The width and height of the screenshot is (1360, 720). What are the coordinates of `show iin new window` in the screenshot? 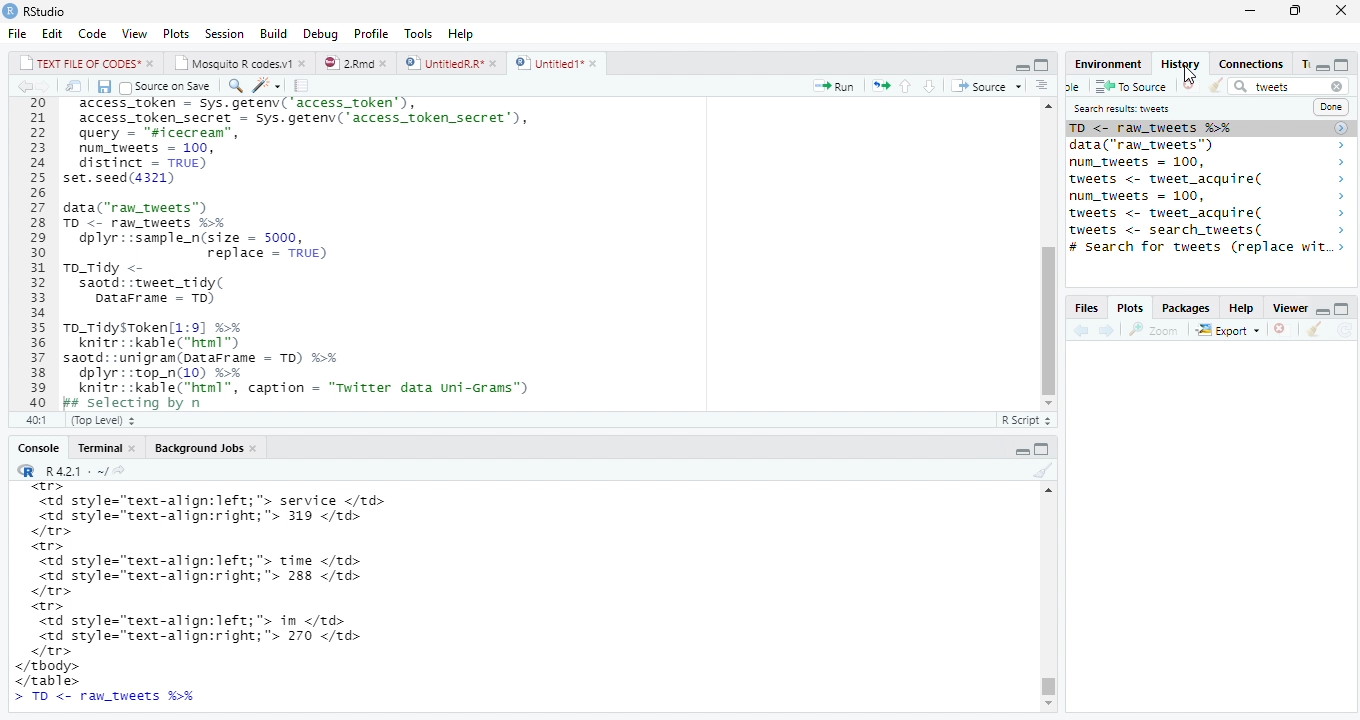 It's located at (73, 86).